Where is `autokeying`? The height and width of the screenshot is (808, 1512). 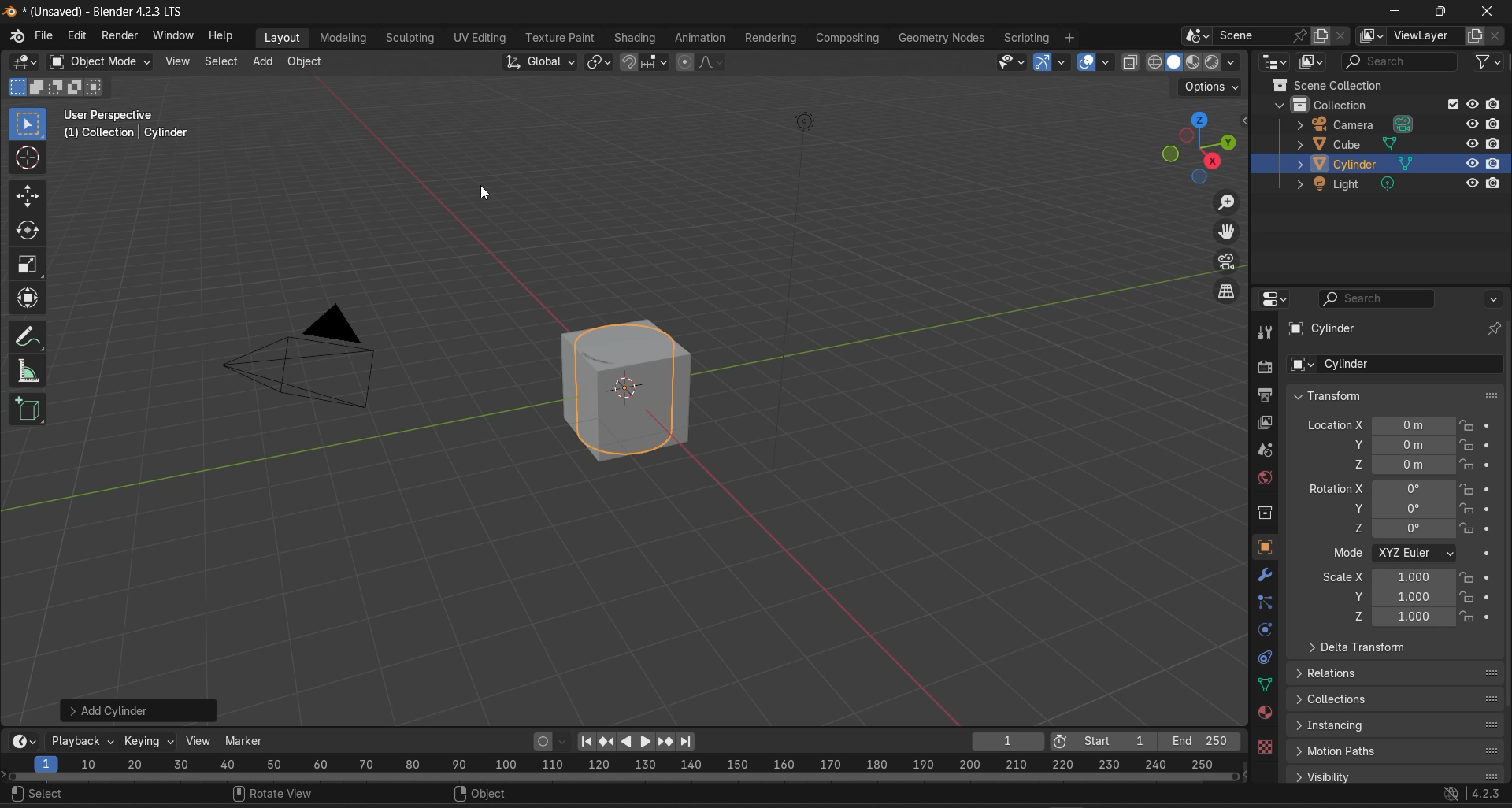
autokeying is located at coordinates (543, 742).